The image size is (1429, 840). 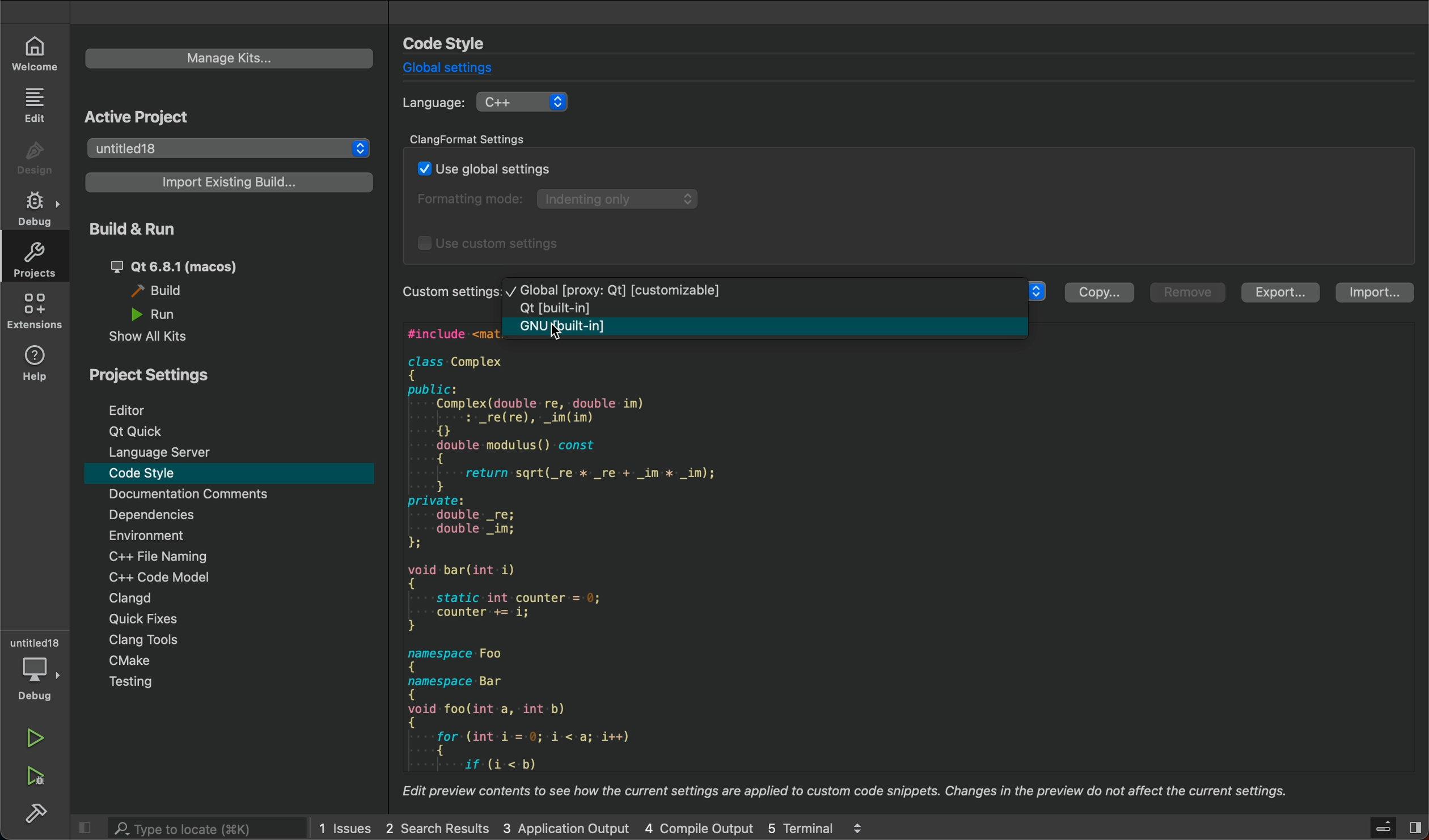 I want to click on cursor, so click(x=564, y=338).